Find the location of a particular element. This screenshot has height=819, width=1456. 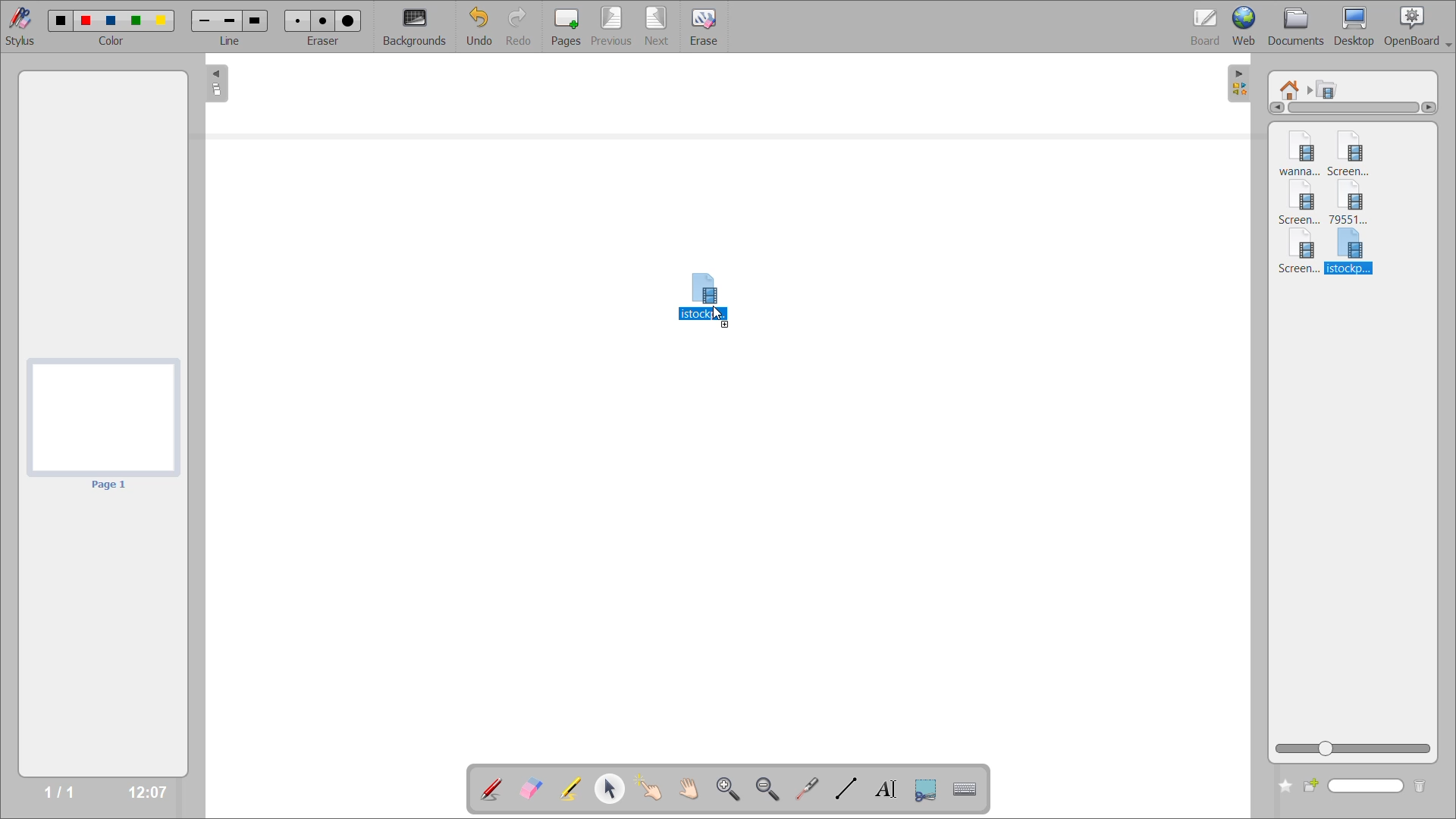

scroll page is located at coordinates (688, 786).